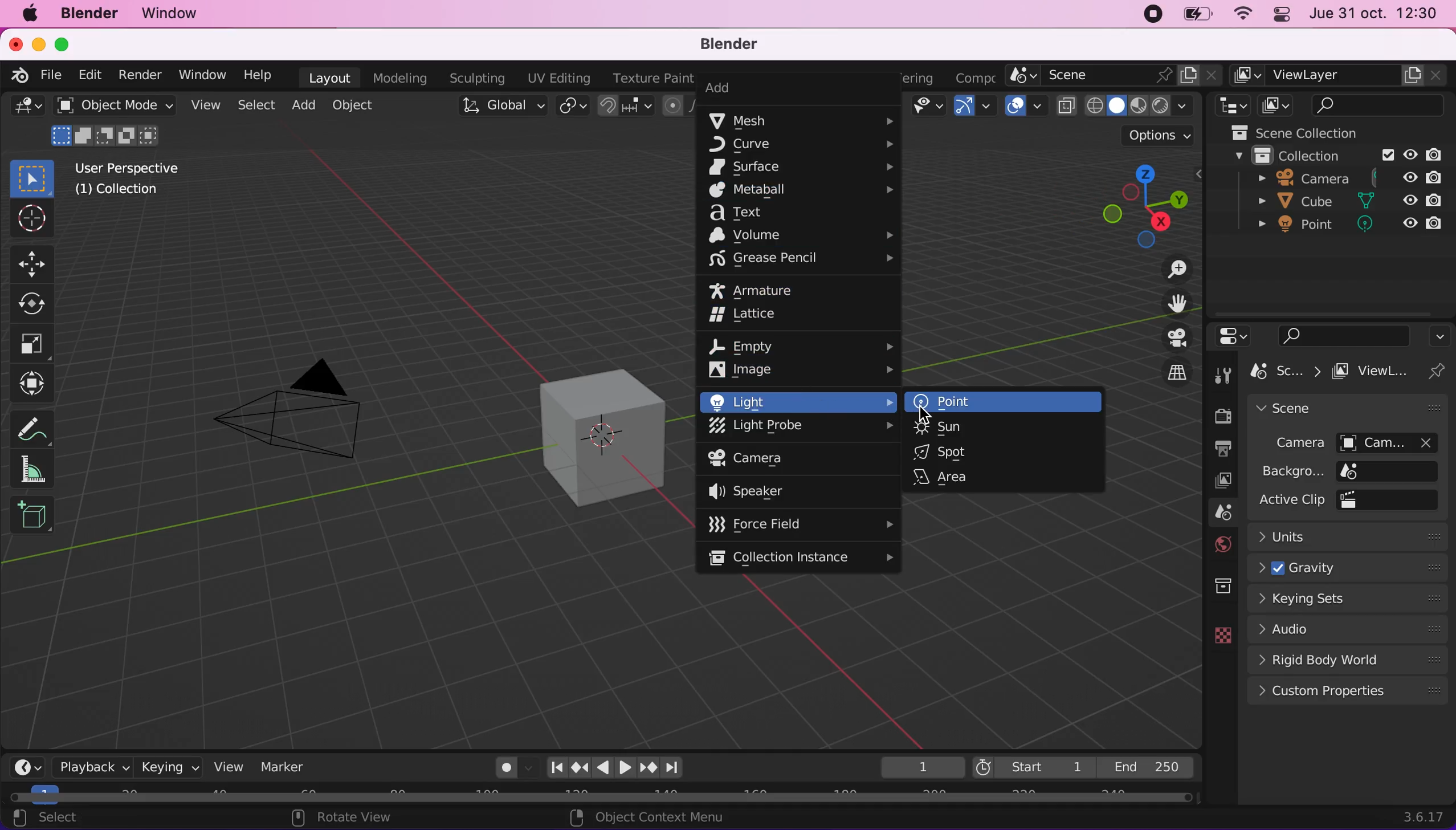 Image resolution: width=1456 pixels, height=830 pixels. What do you see at coordinates (1386, 154) in the screenshot?
I see `exclude from view layer` at bounding box center [1386, 154].